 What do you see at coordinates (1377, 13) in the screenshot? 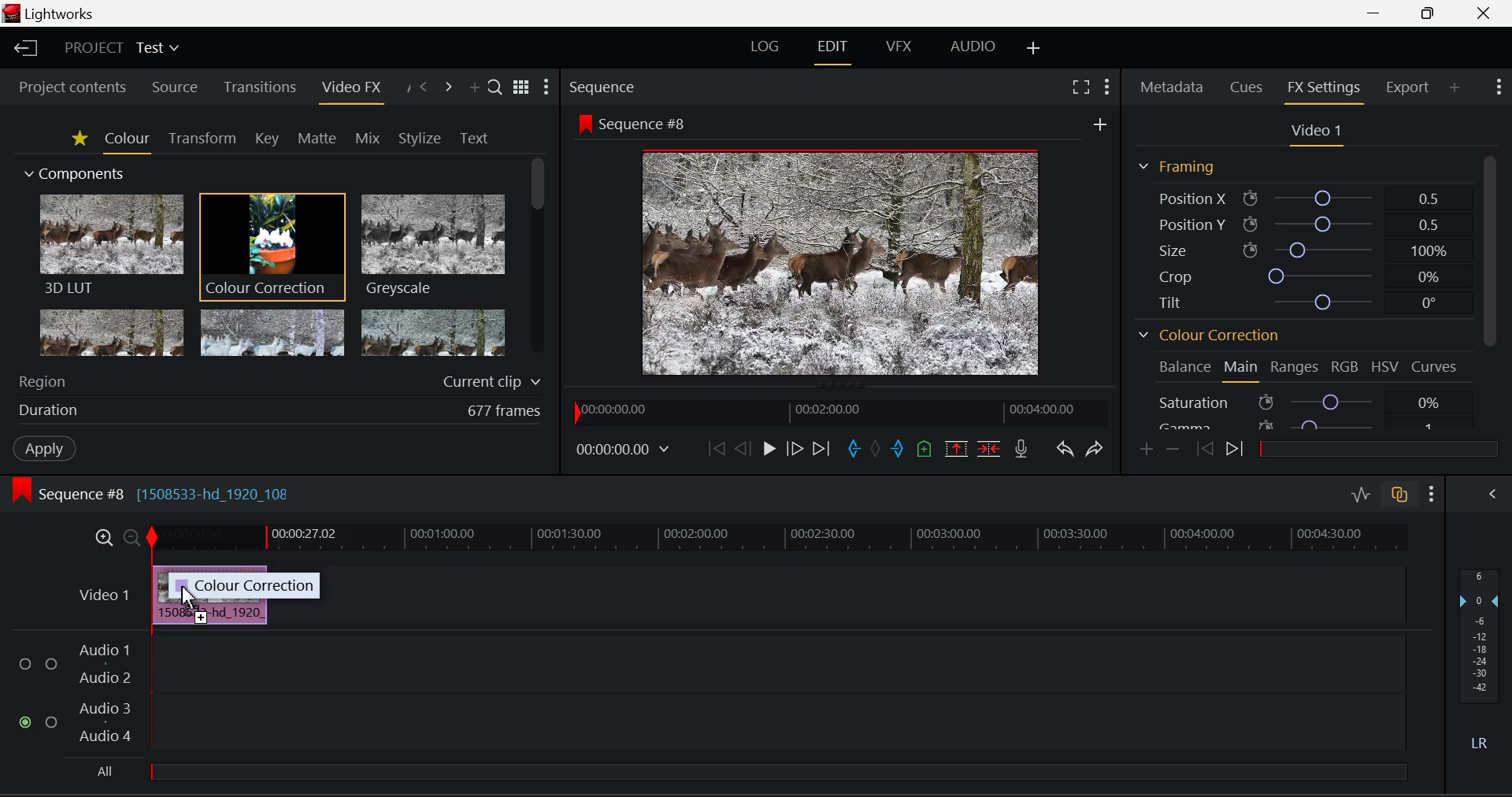
I see `Restore Down` at bounding box center [1377, 13].